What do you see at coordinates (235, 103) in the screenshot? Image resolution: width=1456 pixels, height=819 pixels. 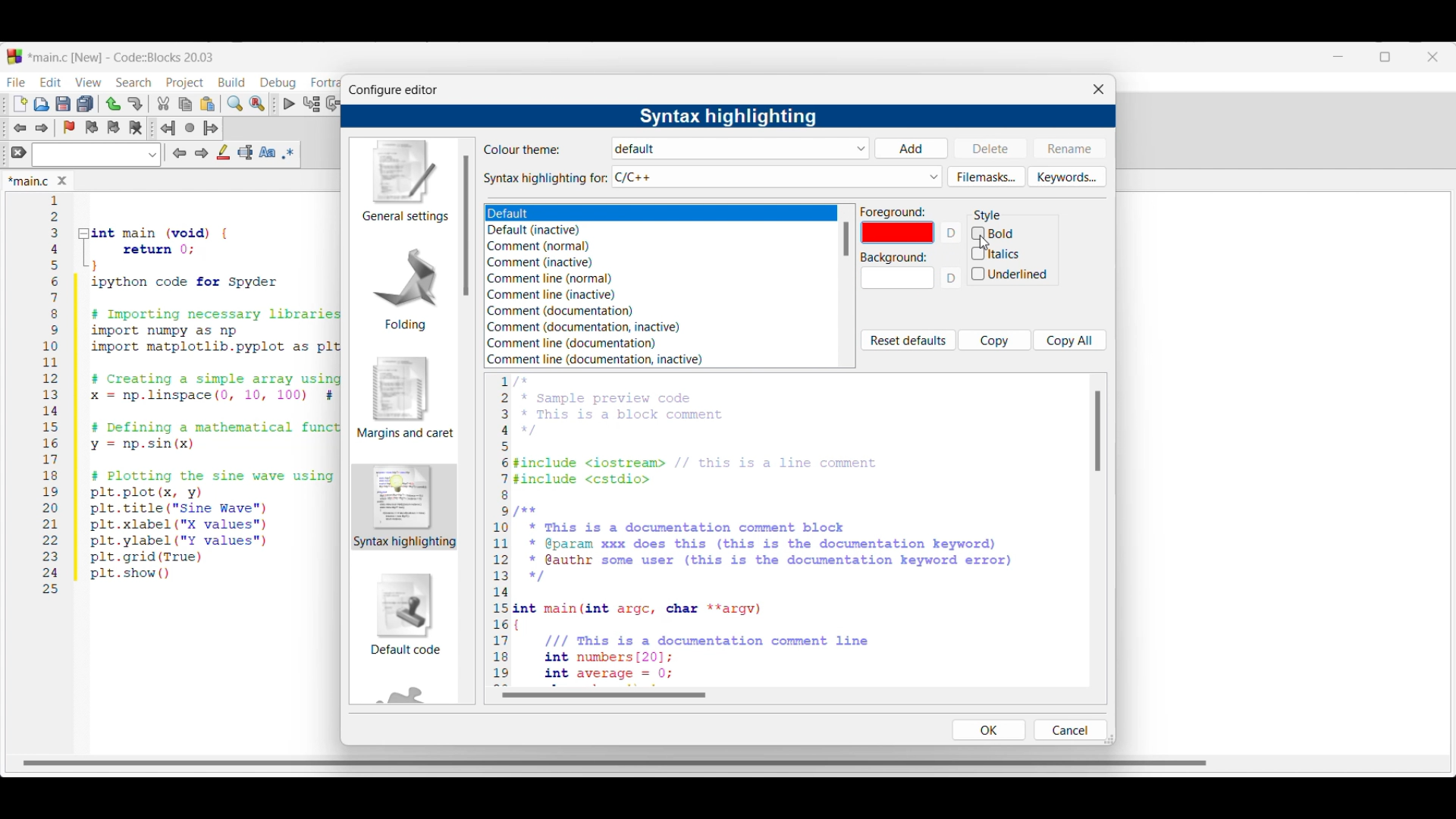 I see `Find` at bounding box center [235, 103].